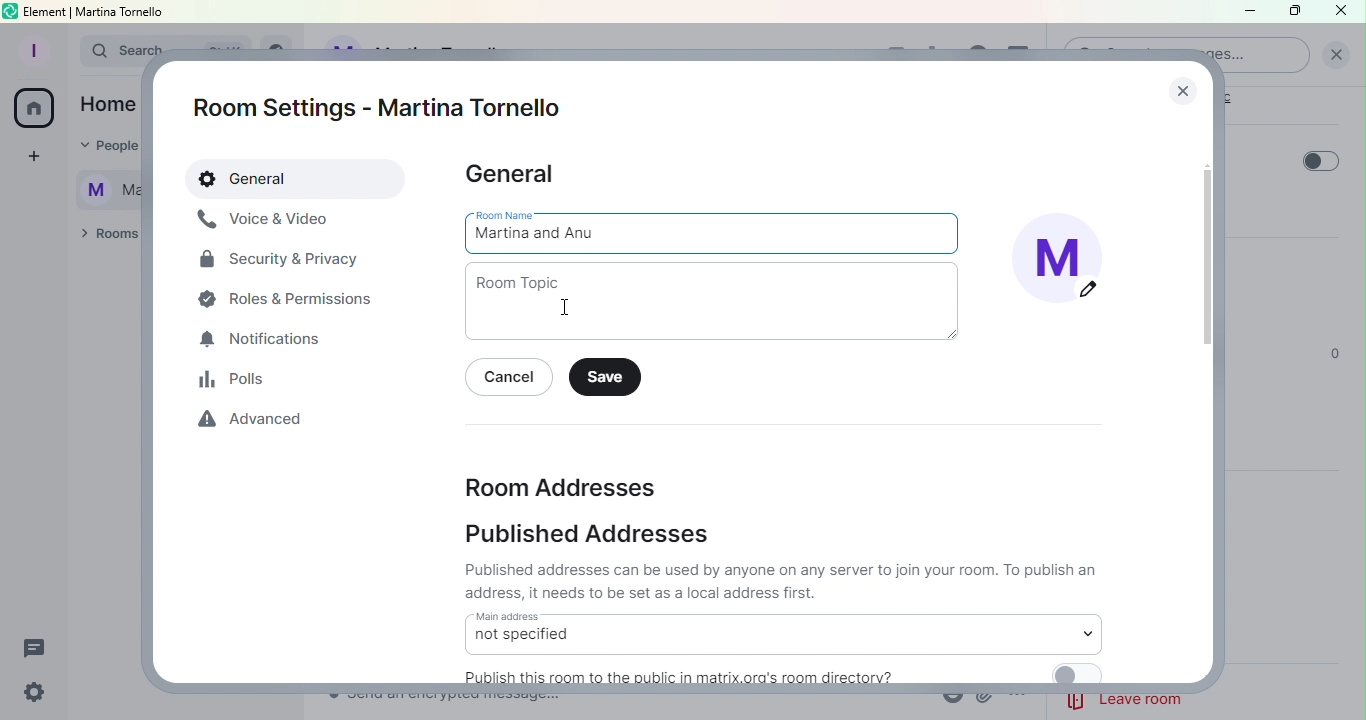 The image size is (1366, 720). What do you see at coordinates (1247, 13) in the screenshot?
I see `Minimize` at bounding box center [1247, 13].